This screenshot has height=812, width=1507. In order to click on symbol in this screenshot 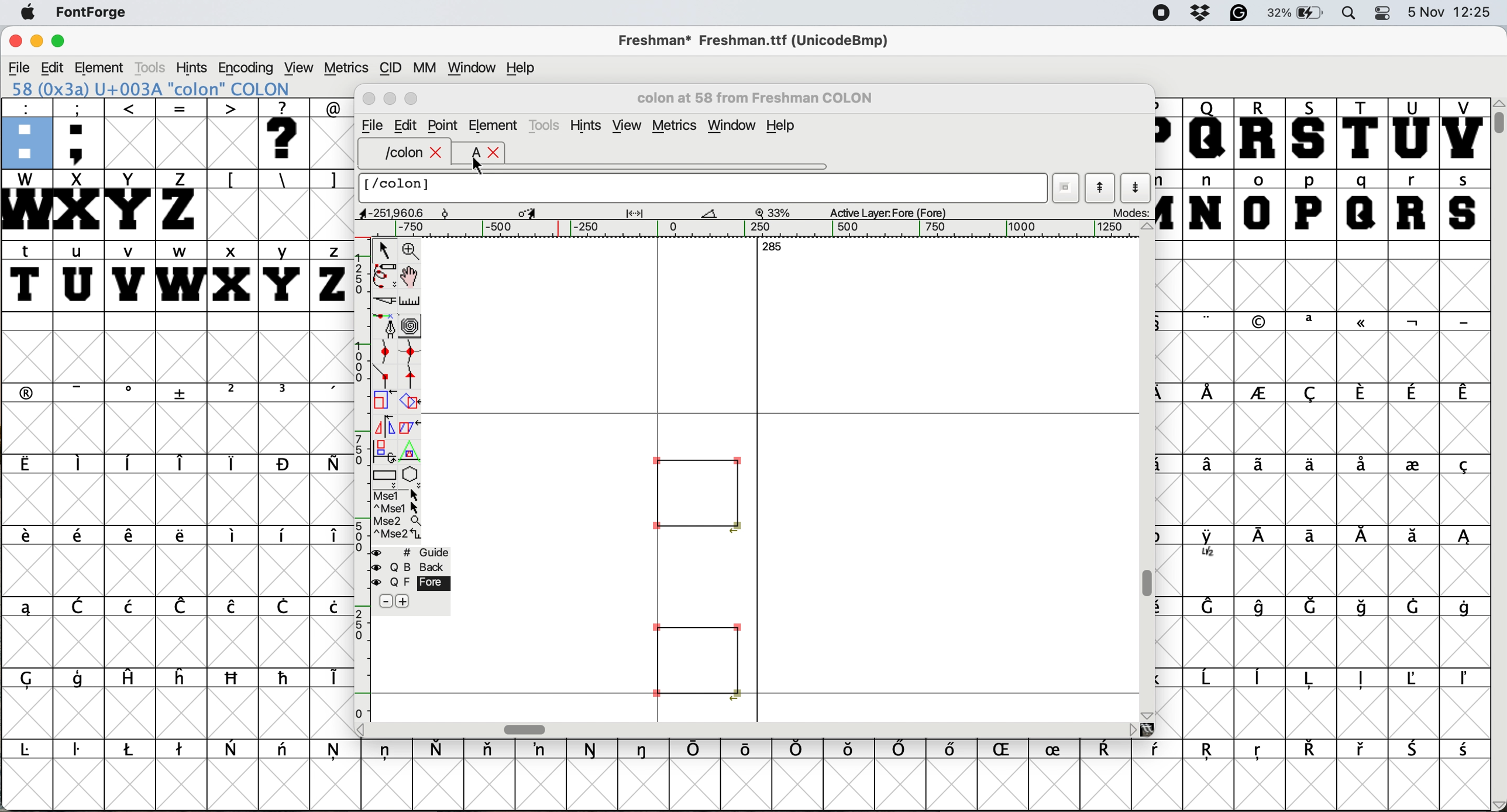, I will do `click(131, 605)`.